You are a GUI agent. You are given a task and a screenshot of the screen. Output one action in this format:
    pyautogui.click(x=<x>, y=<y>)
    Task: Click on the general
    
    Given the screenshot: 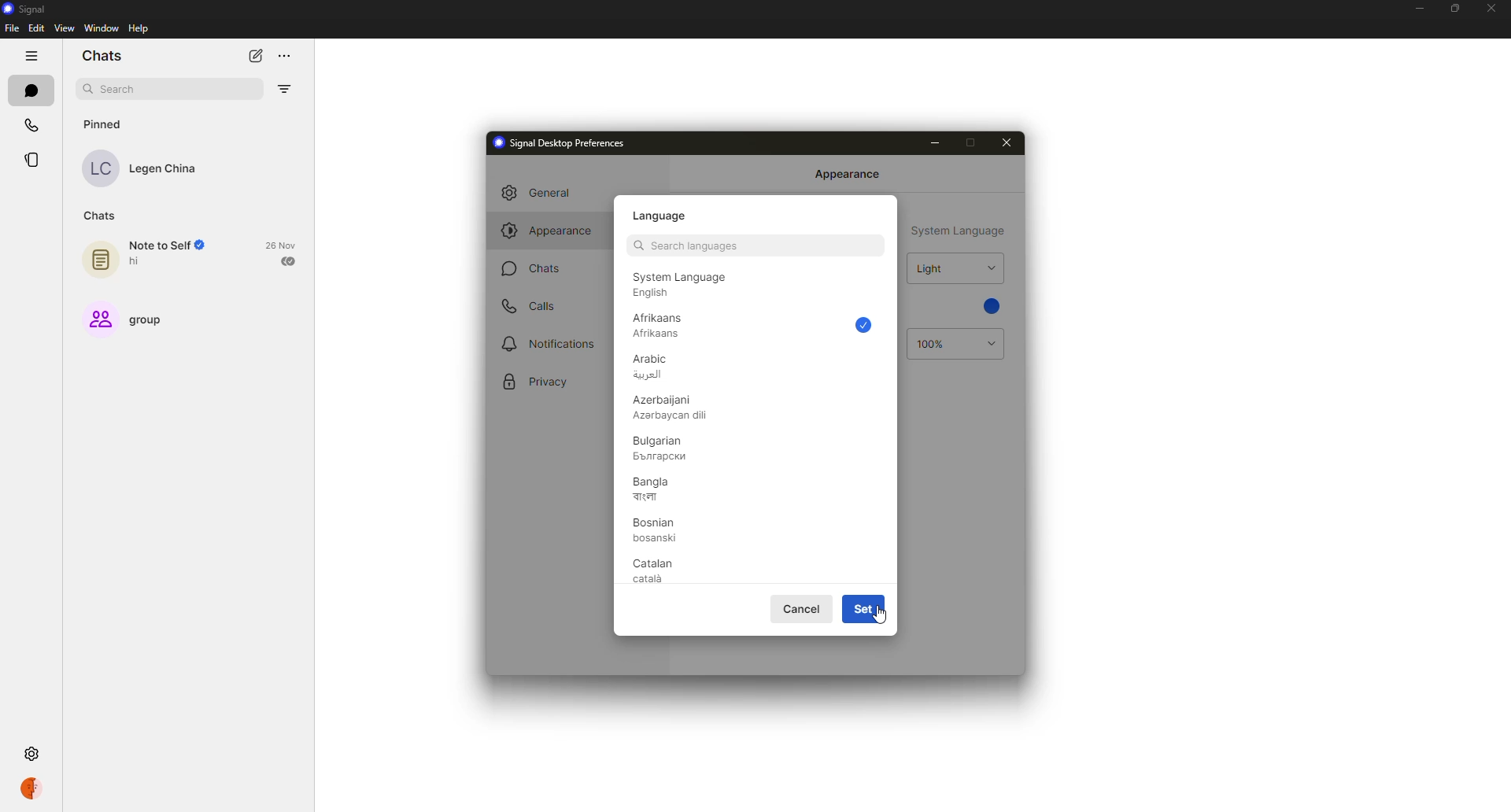 What is the action you would take?
    pyautogui.click(x=548, y=194)
    